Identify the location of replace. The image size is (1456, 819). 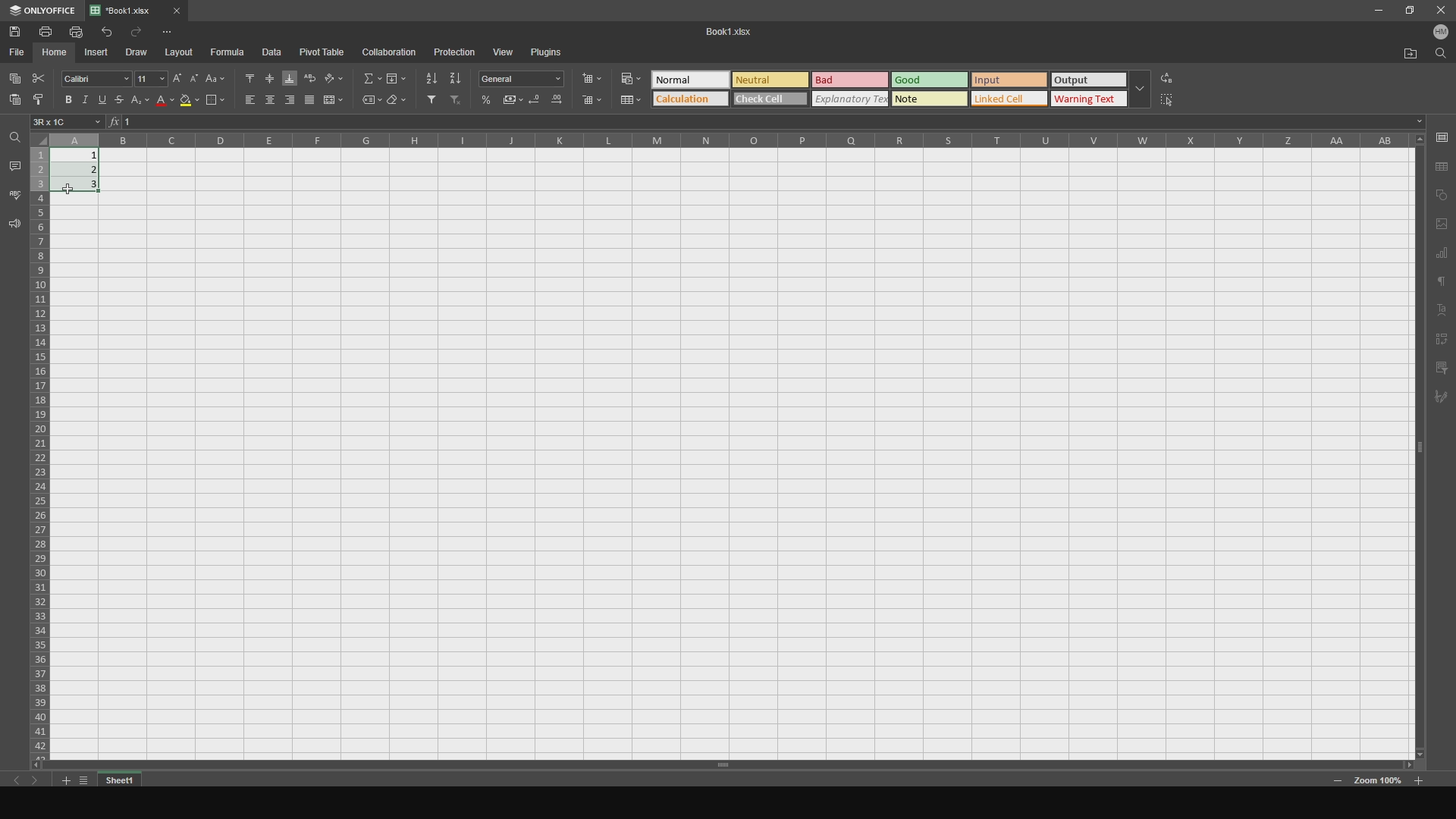
(1178, 76).